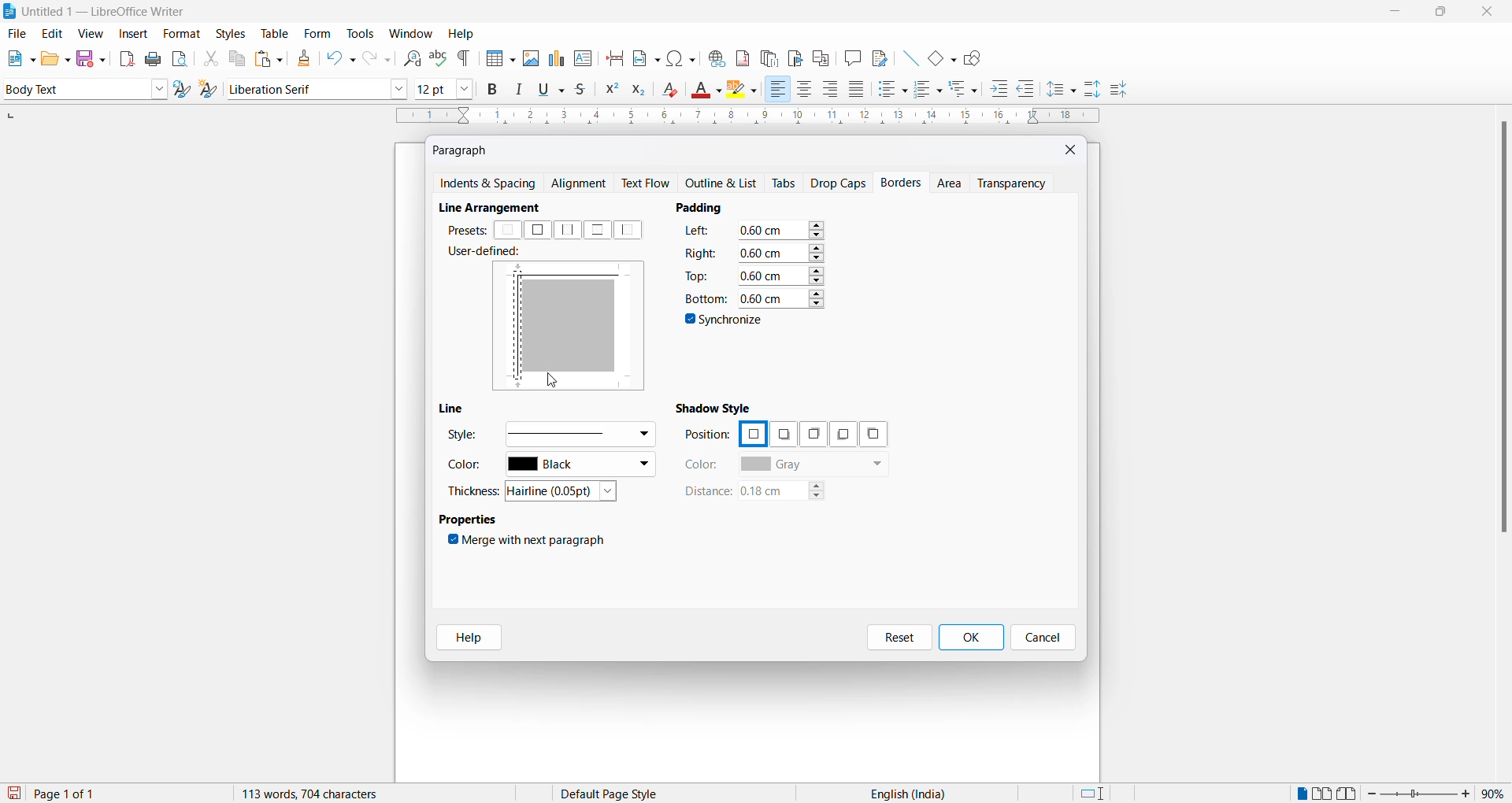  I want to click on text align center, so click(805, 90).